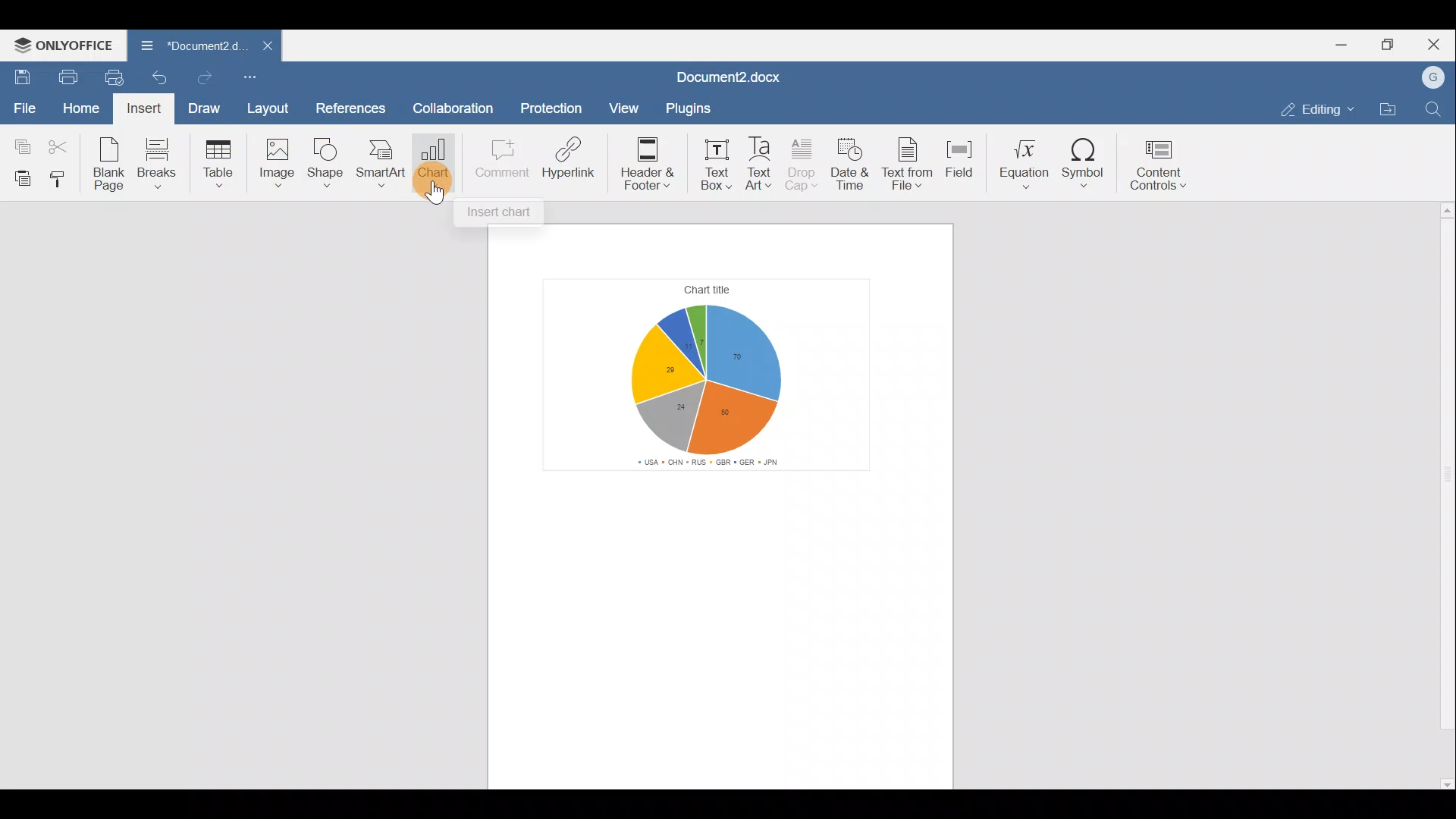  What do you see at coordinates (64, 78) in the screenshot?
I see `Print file` at bounding box center [64, 78].